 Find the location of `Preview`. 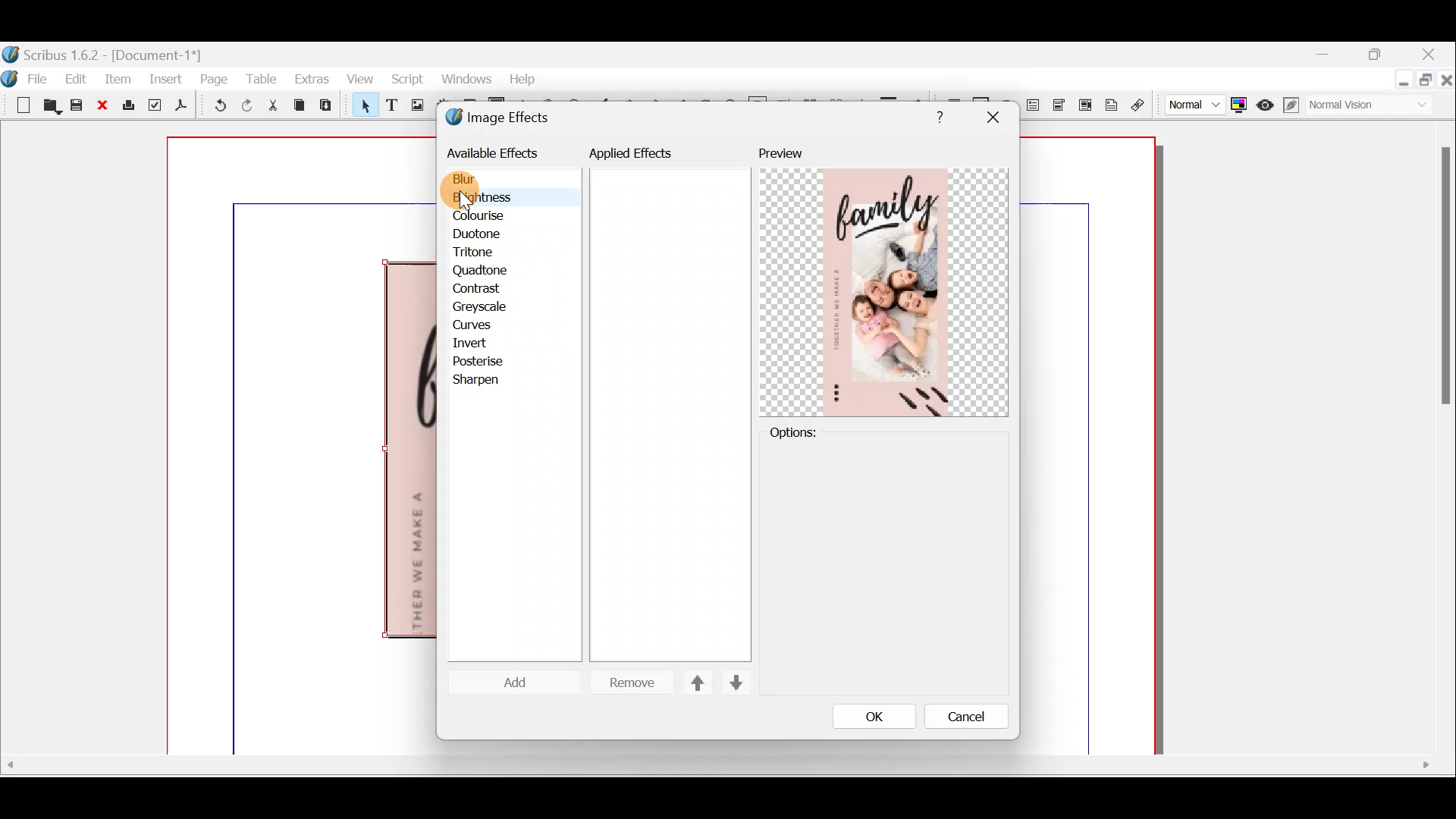

Preview is located at coordinates (883, 281).